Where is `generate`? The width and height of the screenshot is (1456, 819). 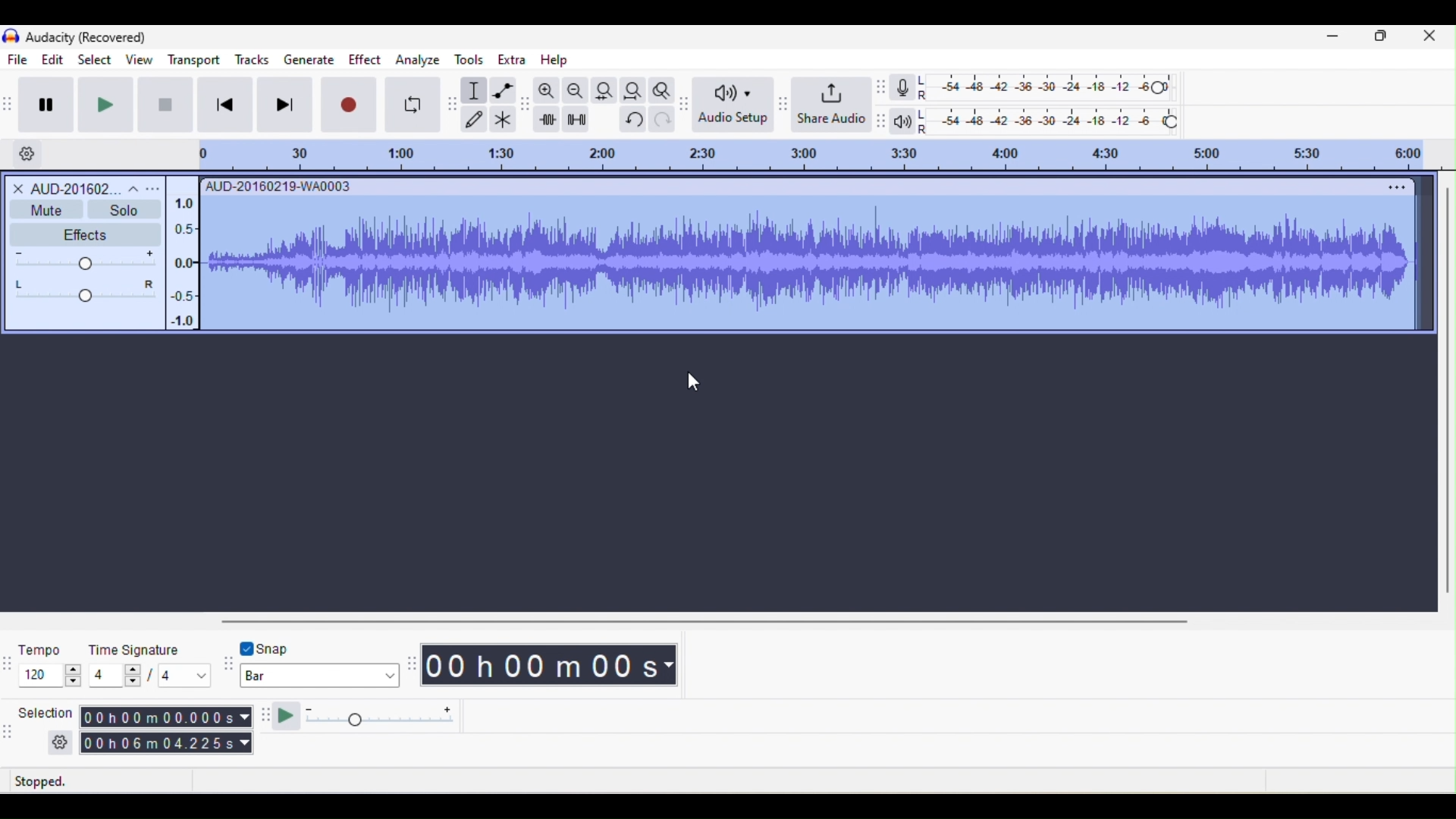
generate is located at coordinates (309, 60).